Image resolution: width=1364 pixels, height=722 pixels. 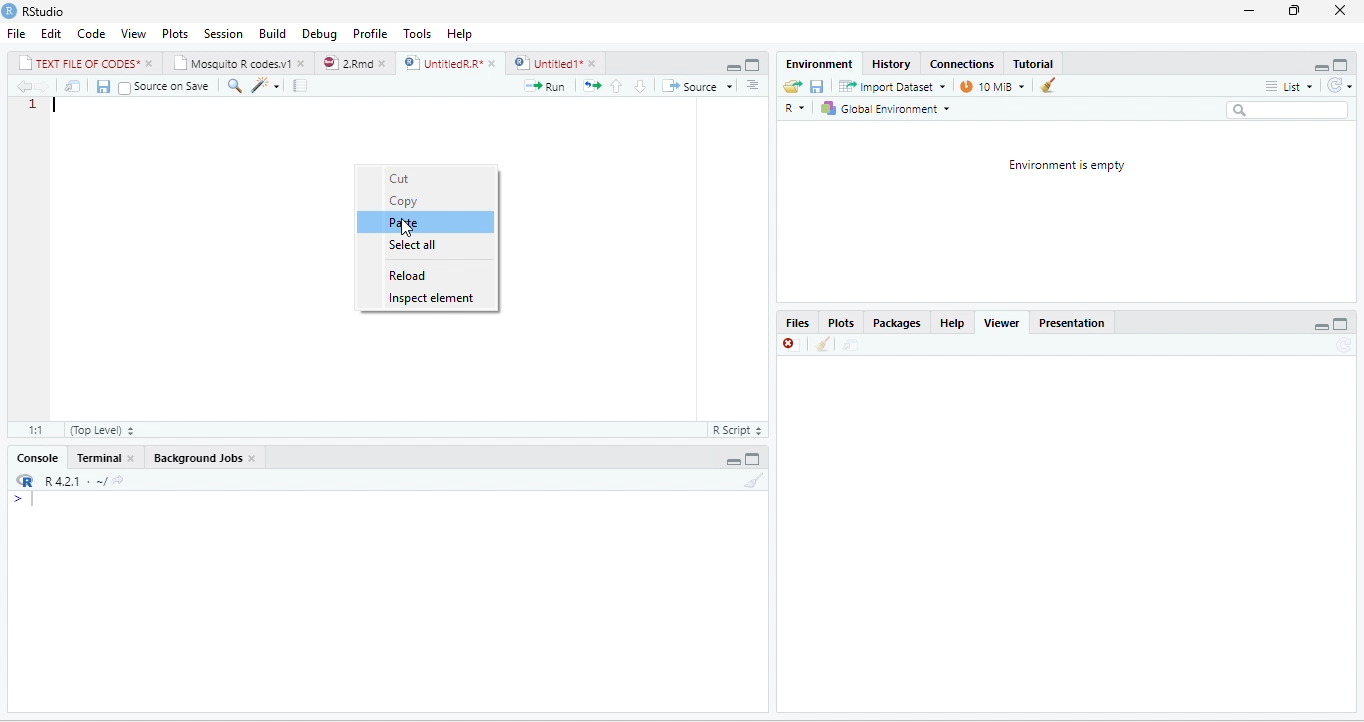 I want to click on help, so click(x=458, y=32).